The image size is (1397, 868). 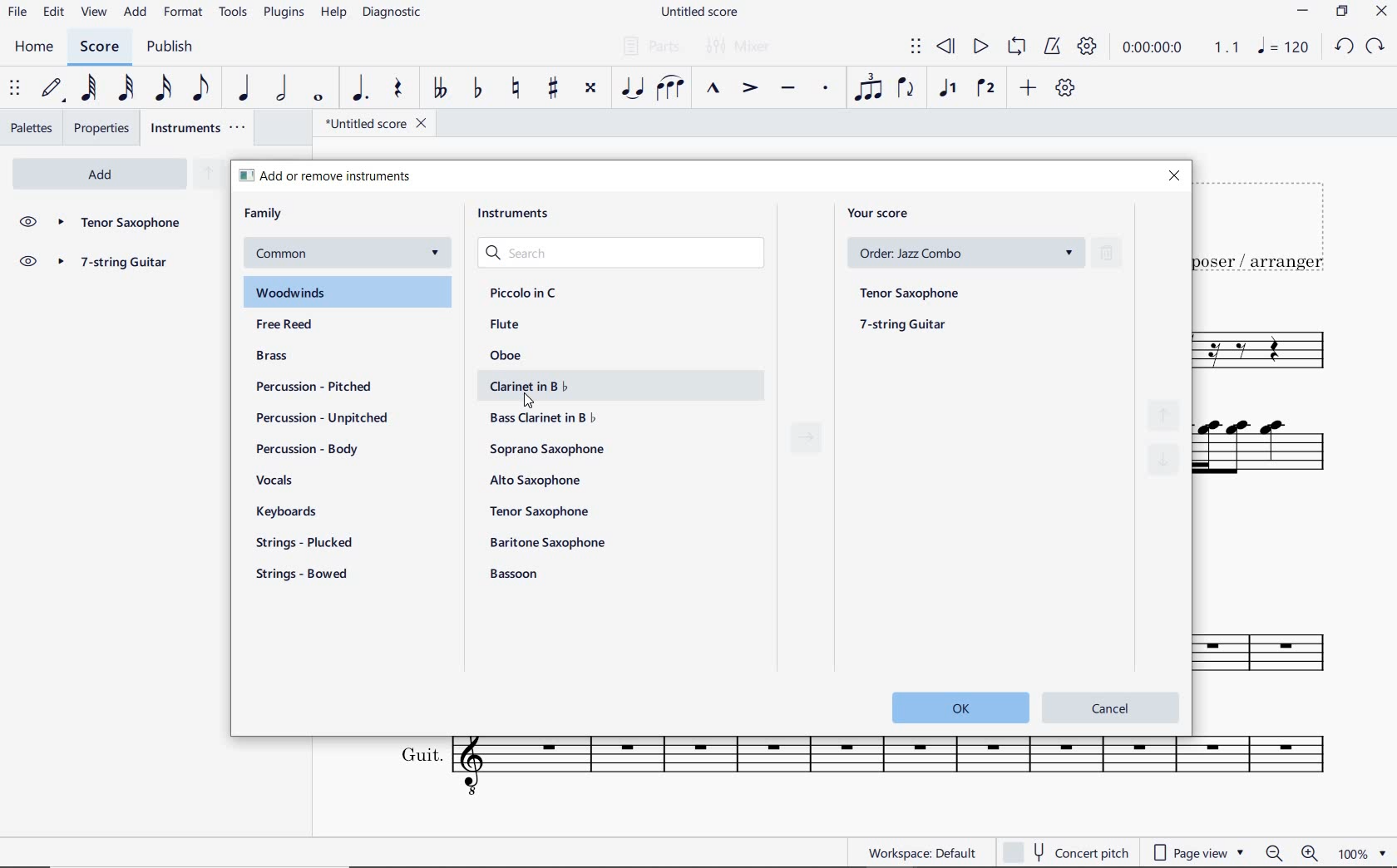 I want to click on INSTRUMENT: 7-STRING GUITAR, so click(x=1275, y=455).